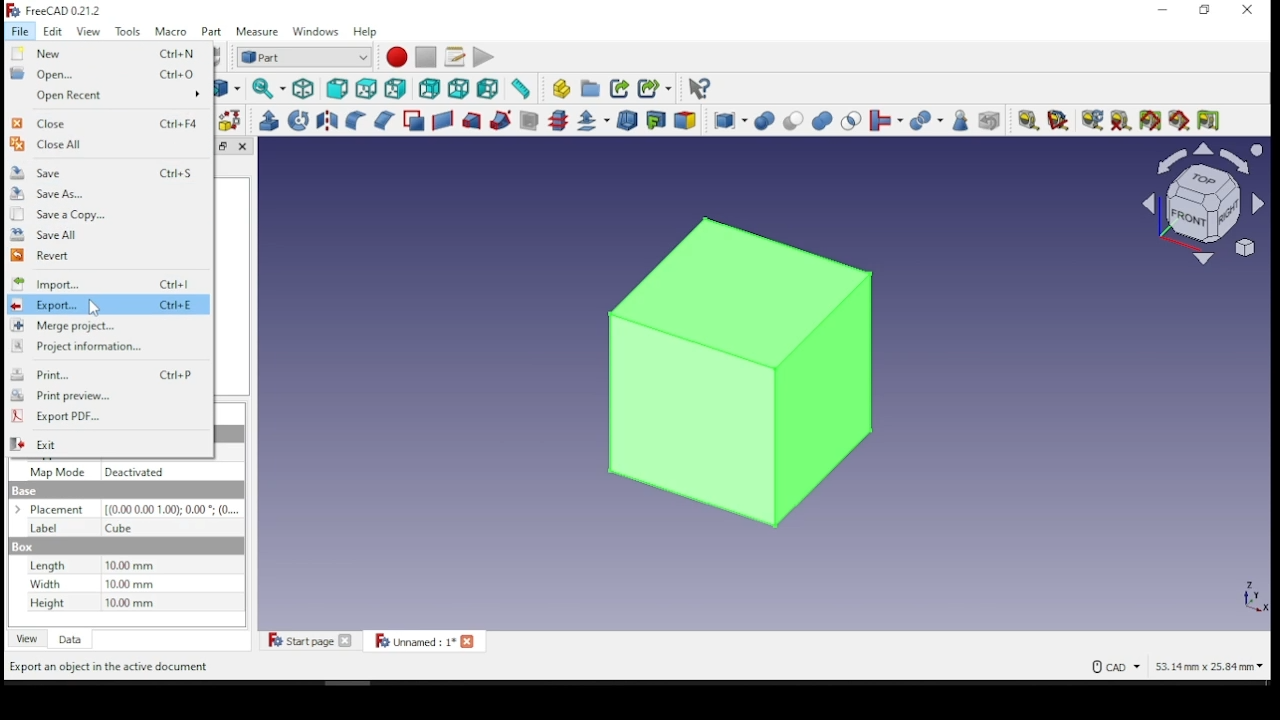 The height and width of the screenshot is (720, 1280). Describe the element at coordinates (688, 120) in the screenshot. I see `color per face` at that location.